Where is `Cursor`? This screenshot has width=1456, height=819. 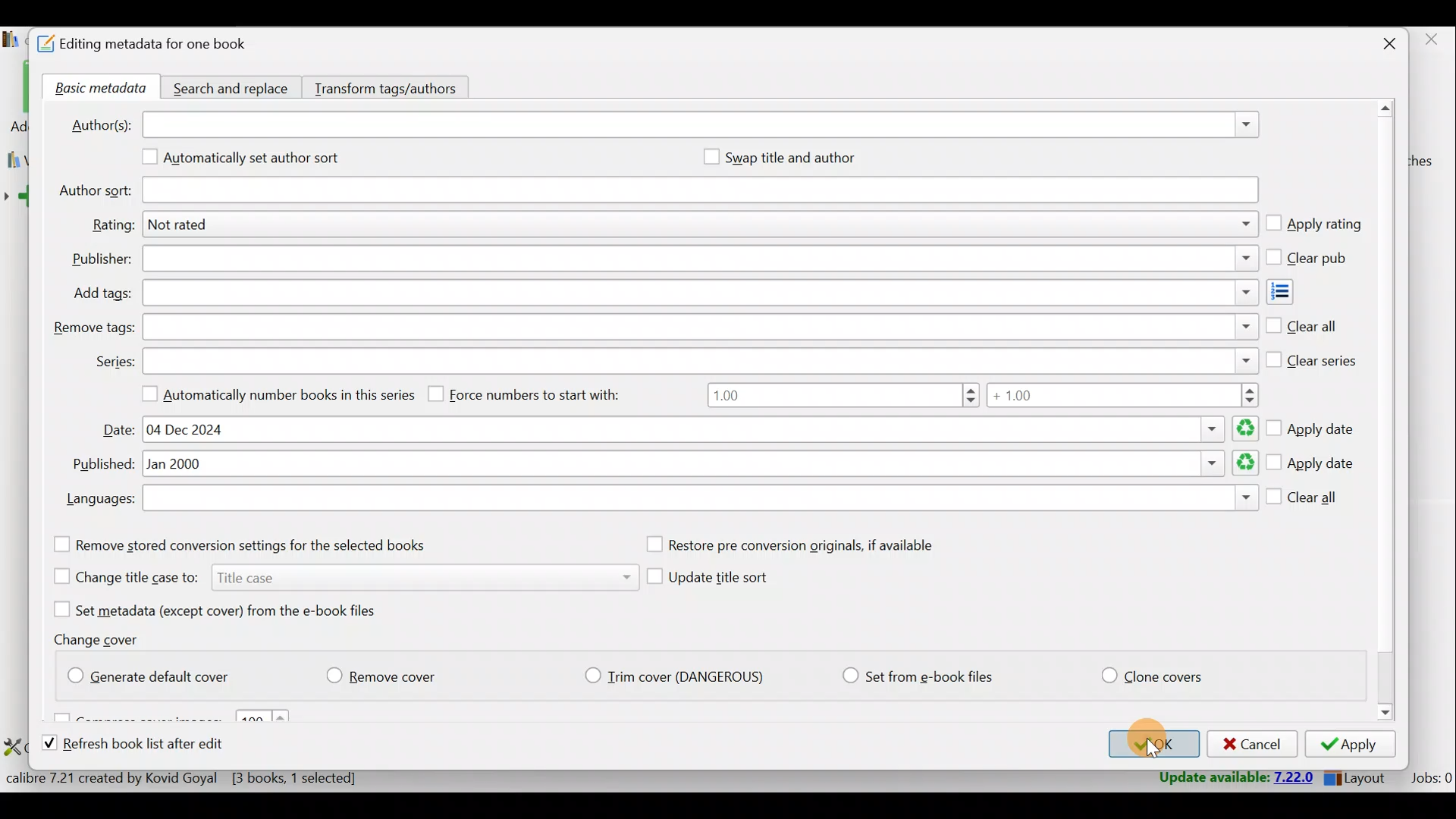 Cursor is located at coordinates (1163, 751).